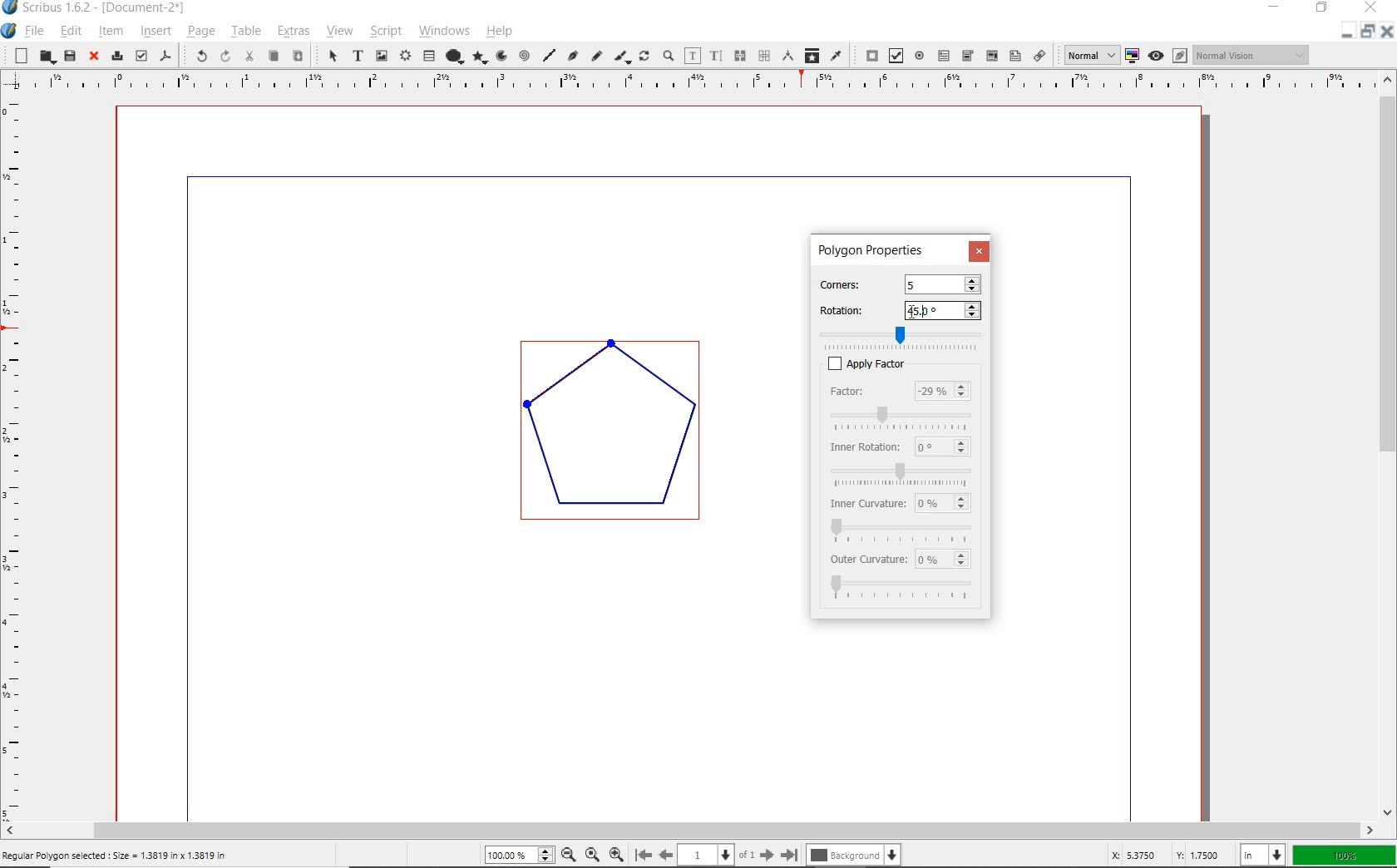 The height and width of the screenshot is (868, 1397). Describe the element at coordinates (1261, 854) in the screenshot. I see `select unit` at that location.